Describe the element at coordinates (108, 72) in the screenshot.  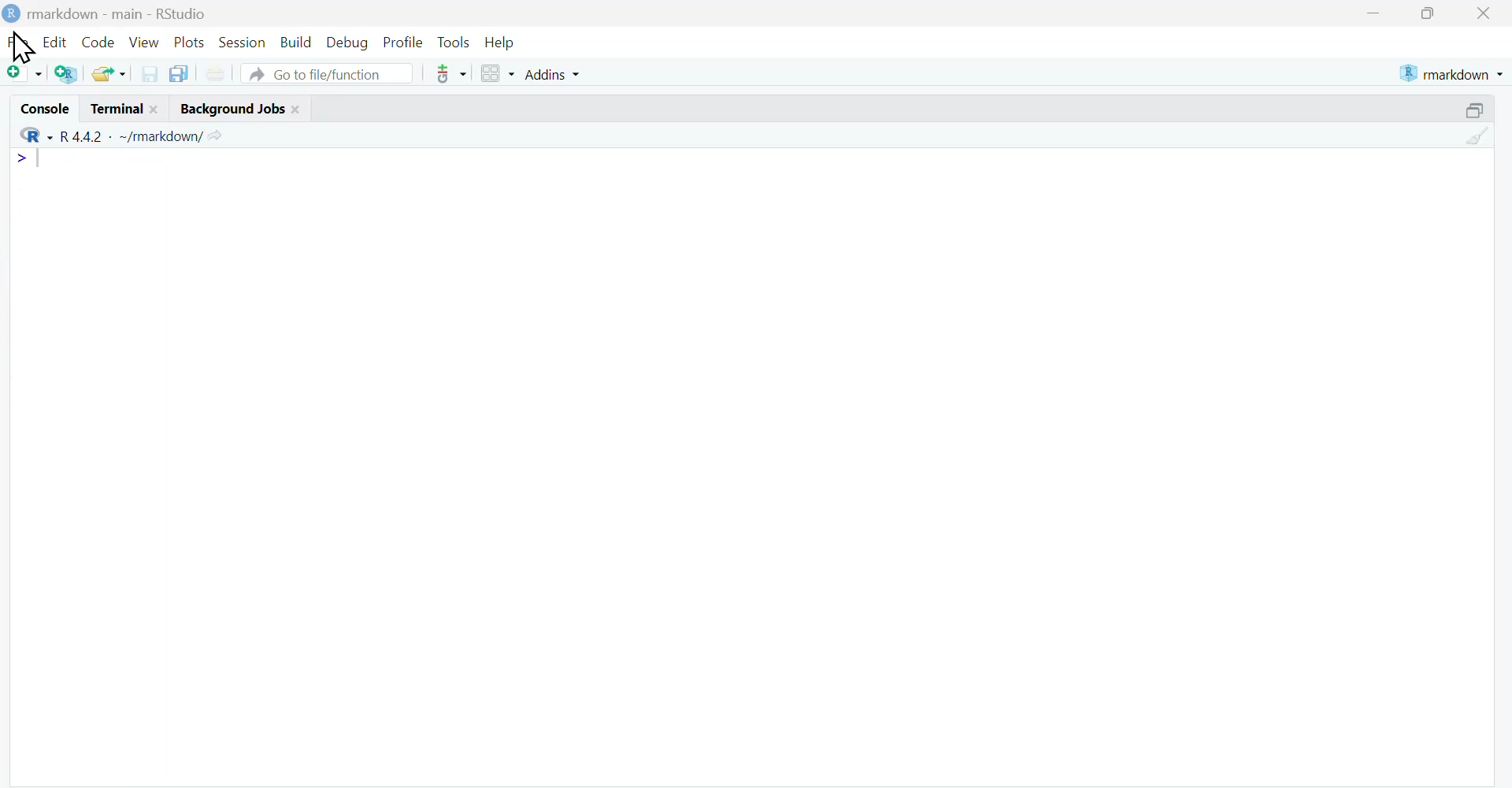
I see `open an existing file` at that location.